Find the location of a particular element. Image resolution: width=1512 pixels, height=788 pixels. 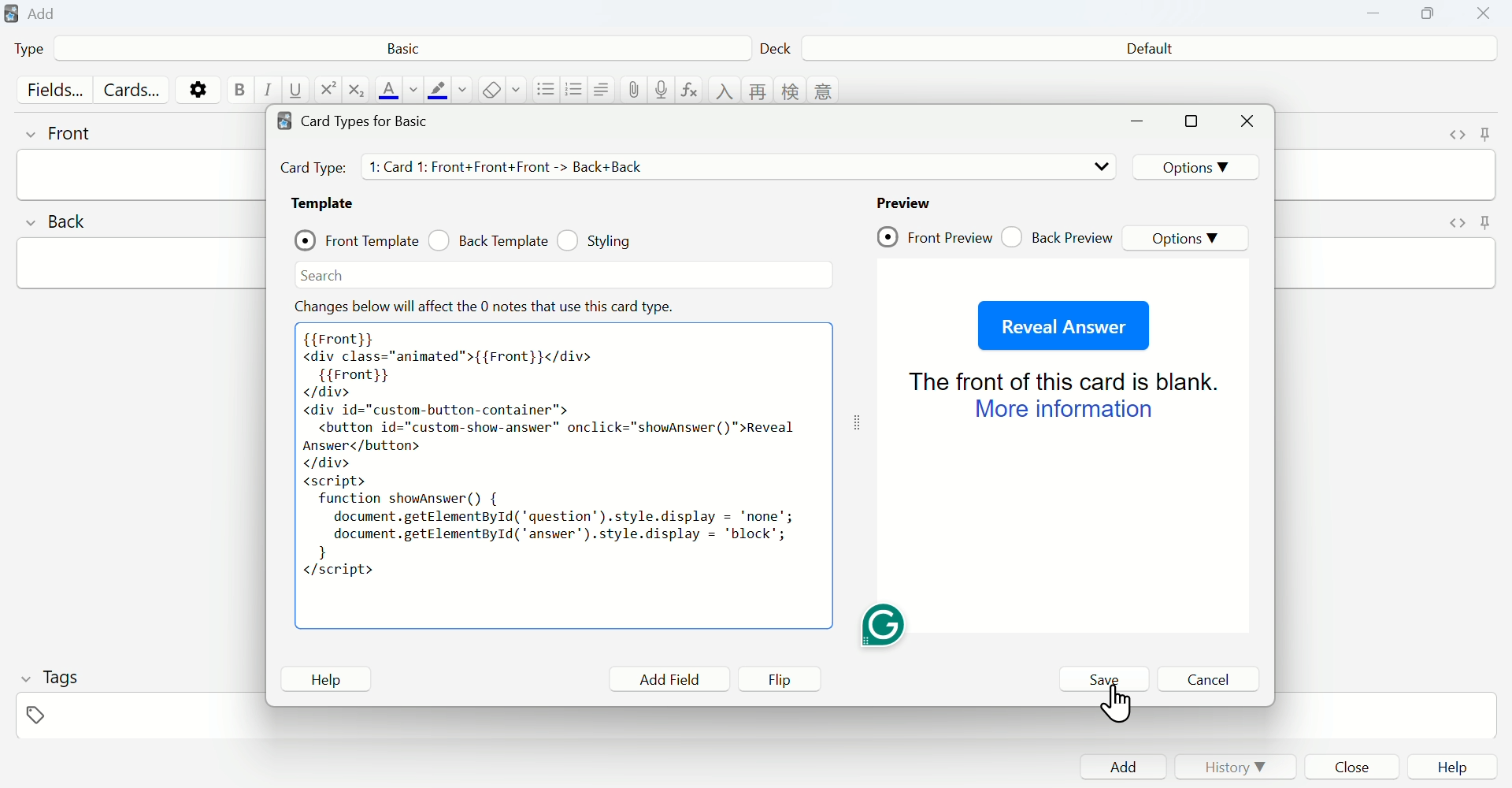

Front Preview is located at coordinates (935, 237).